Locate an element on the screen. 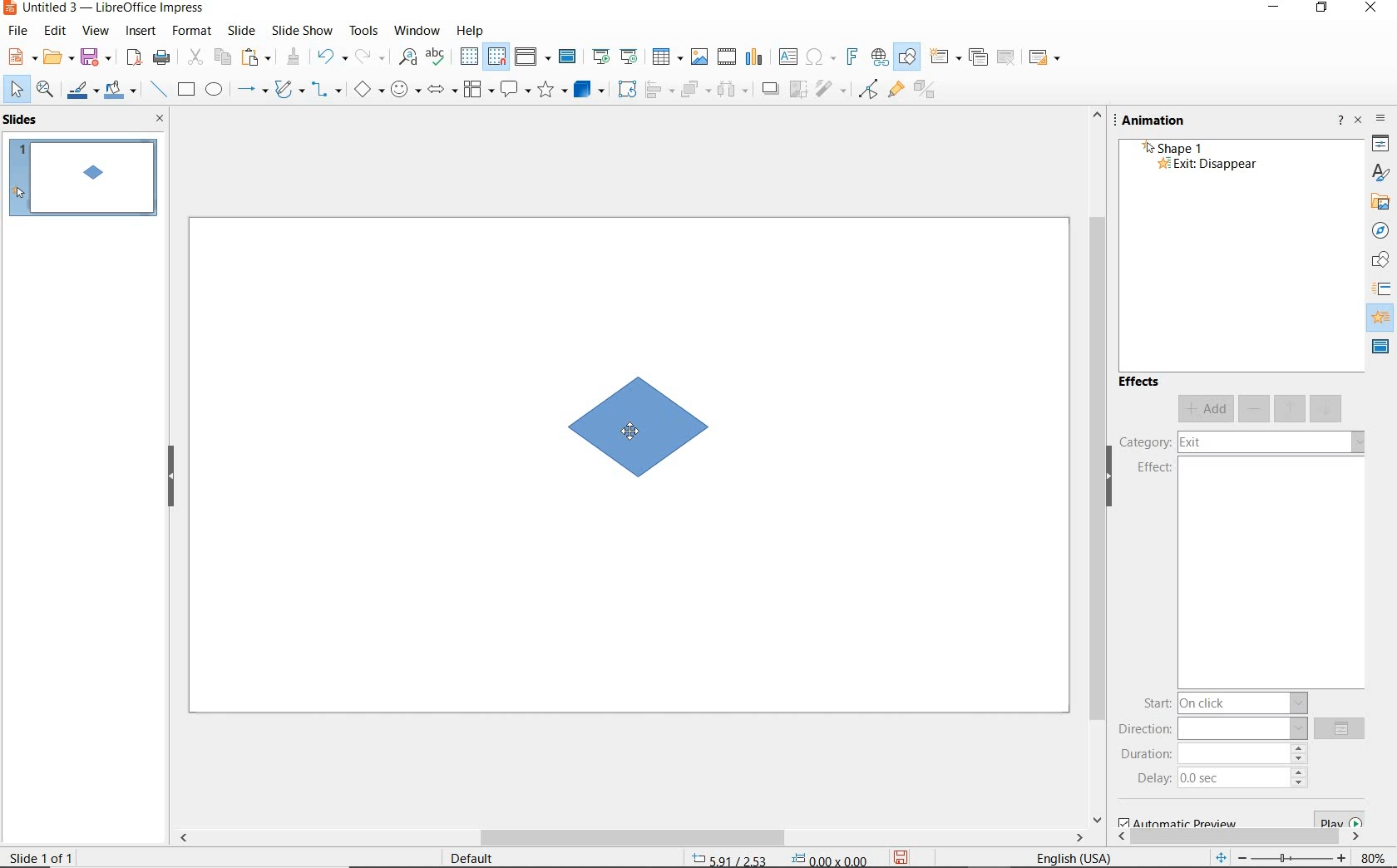 The height and width of the screenshot is (868, 1397). crop image is located at coordinates (798, 90).